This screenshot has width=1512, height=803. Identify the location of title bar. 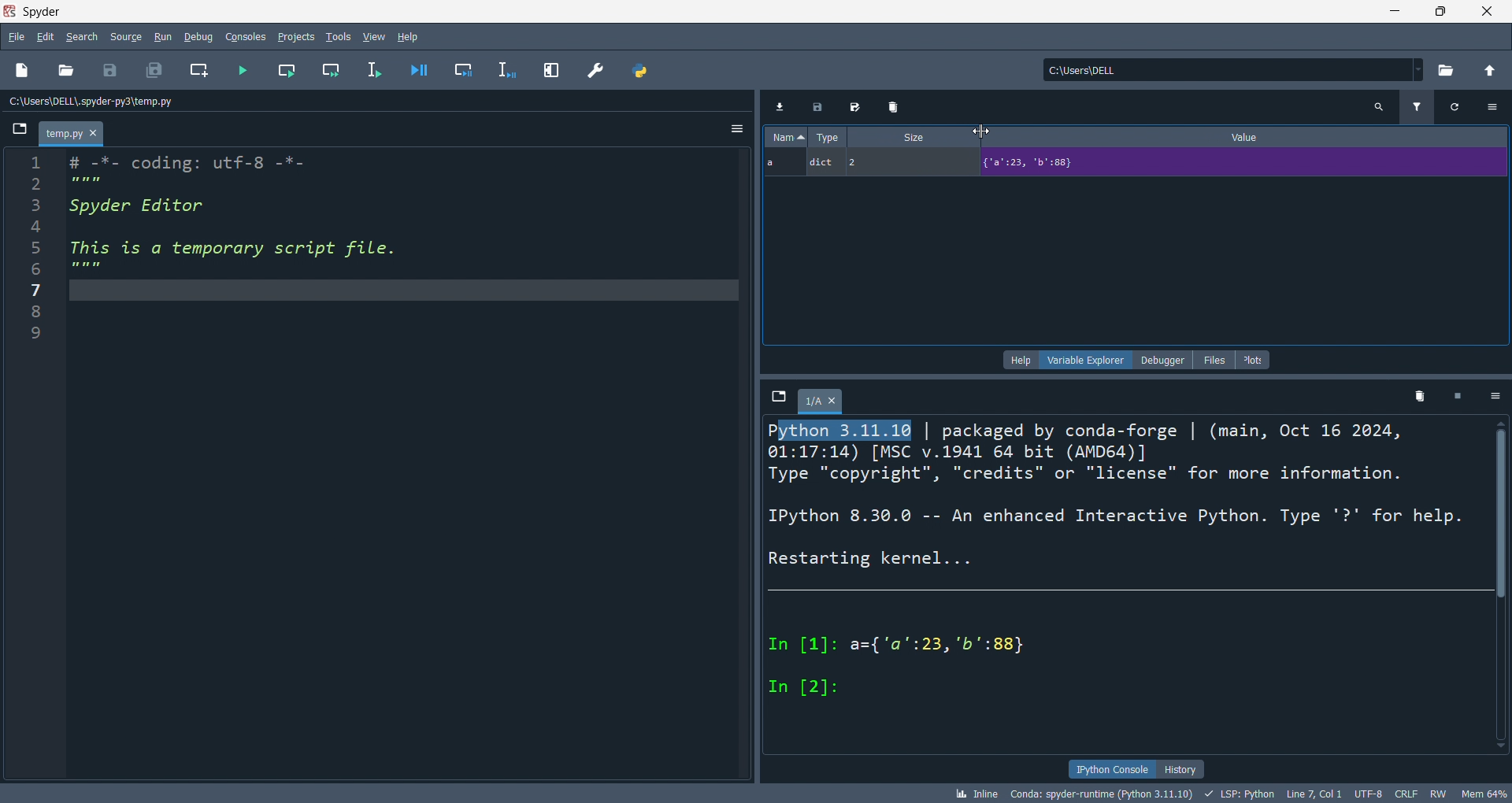
(684, 12).